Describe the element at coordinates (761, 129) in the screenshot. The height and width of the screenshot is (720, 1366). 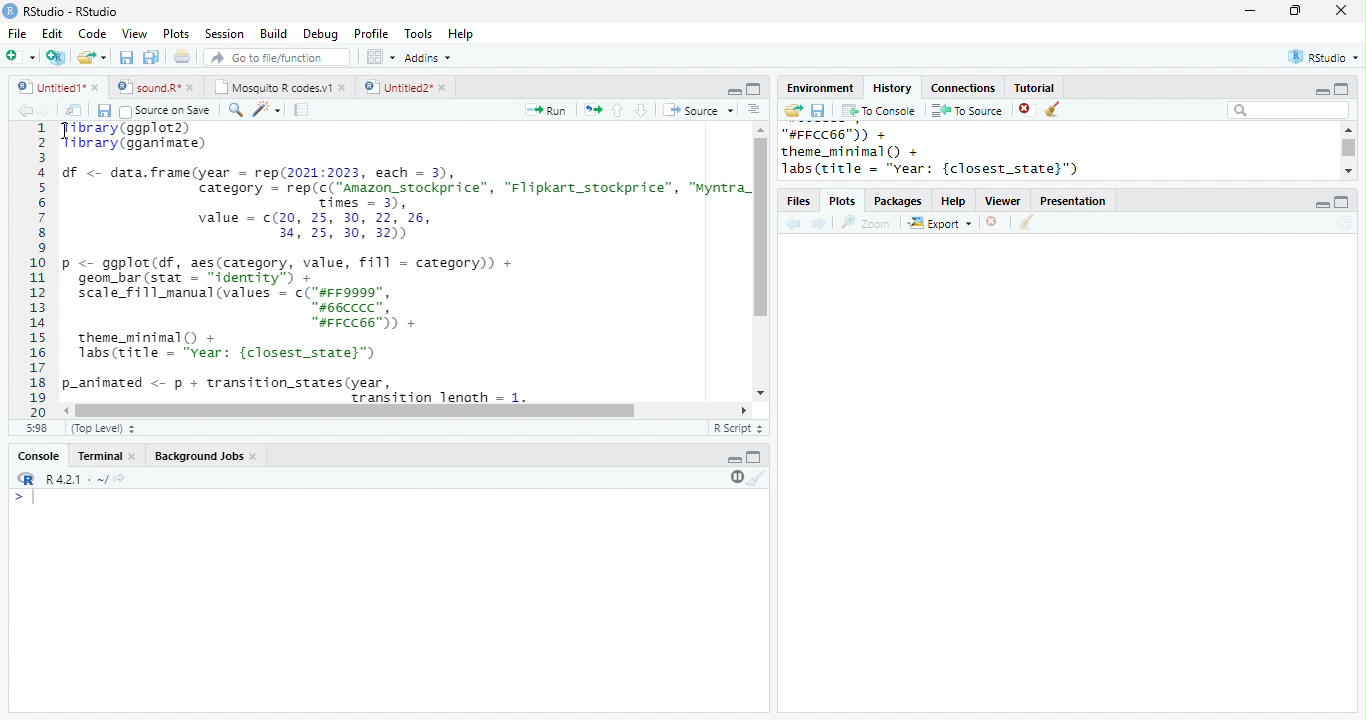
I see `scroll up ` at that location.